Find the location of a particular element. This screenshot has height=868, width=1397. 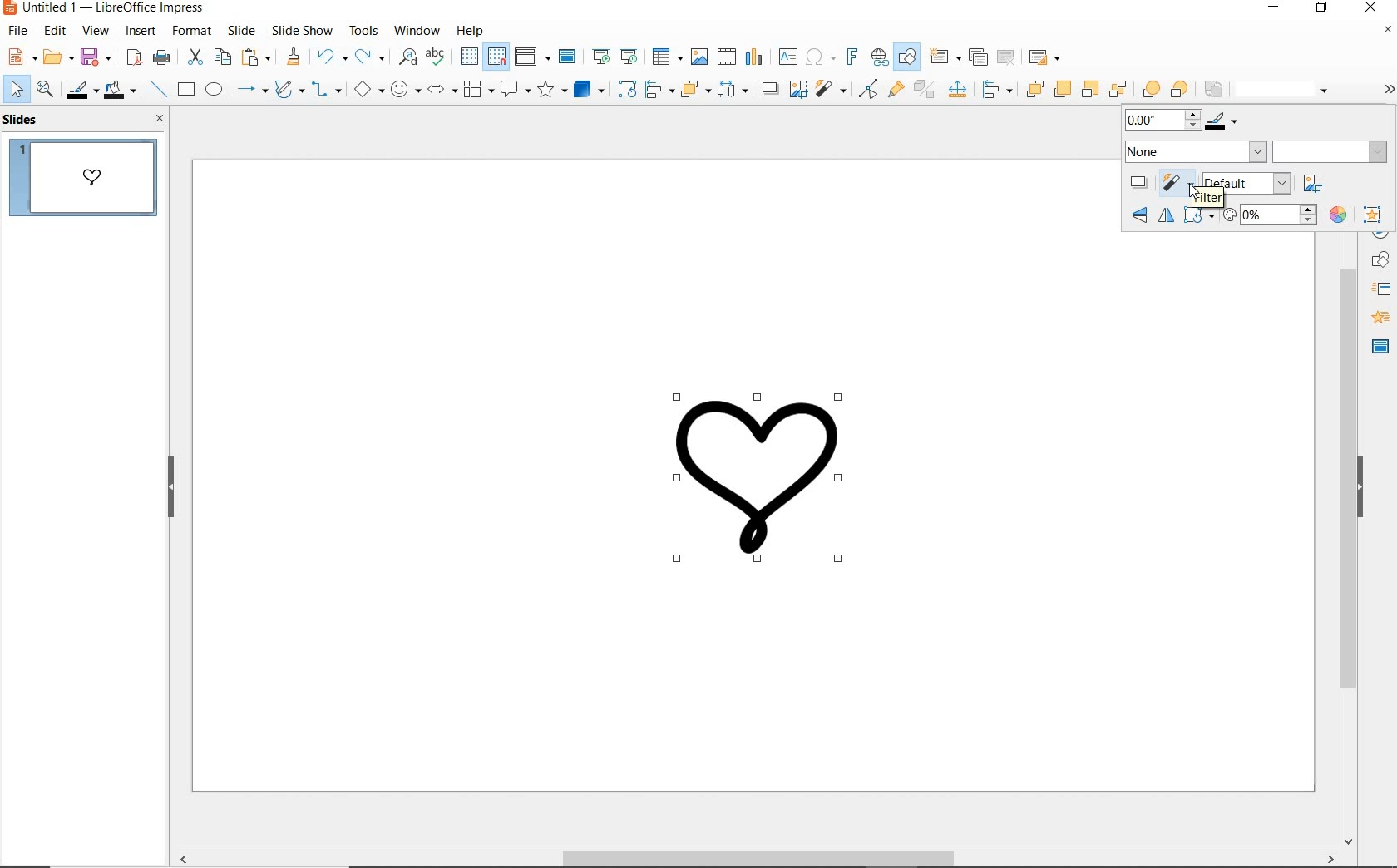

tools is located at coordinates (364, 31).